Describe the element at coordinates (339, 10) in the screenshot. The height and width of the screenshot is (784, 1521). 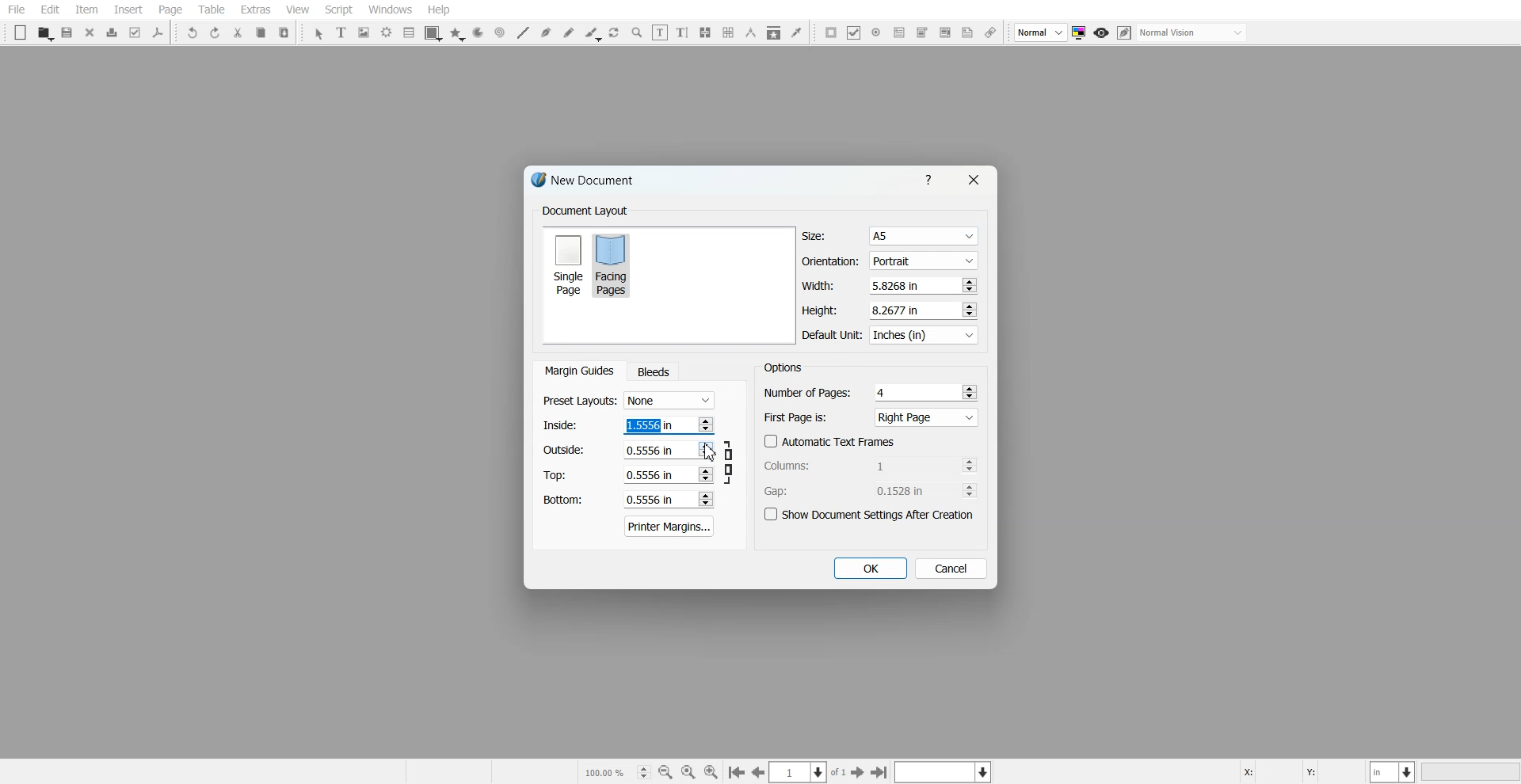
I see `Script` at that location.